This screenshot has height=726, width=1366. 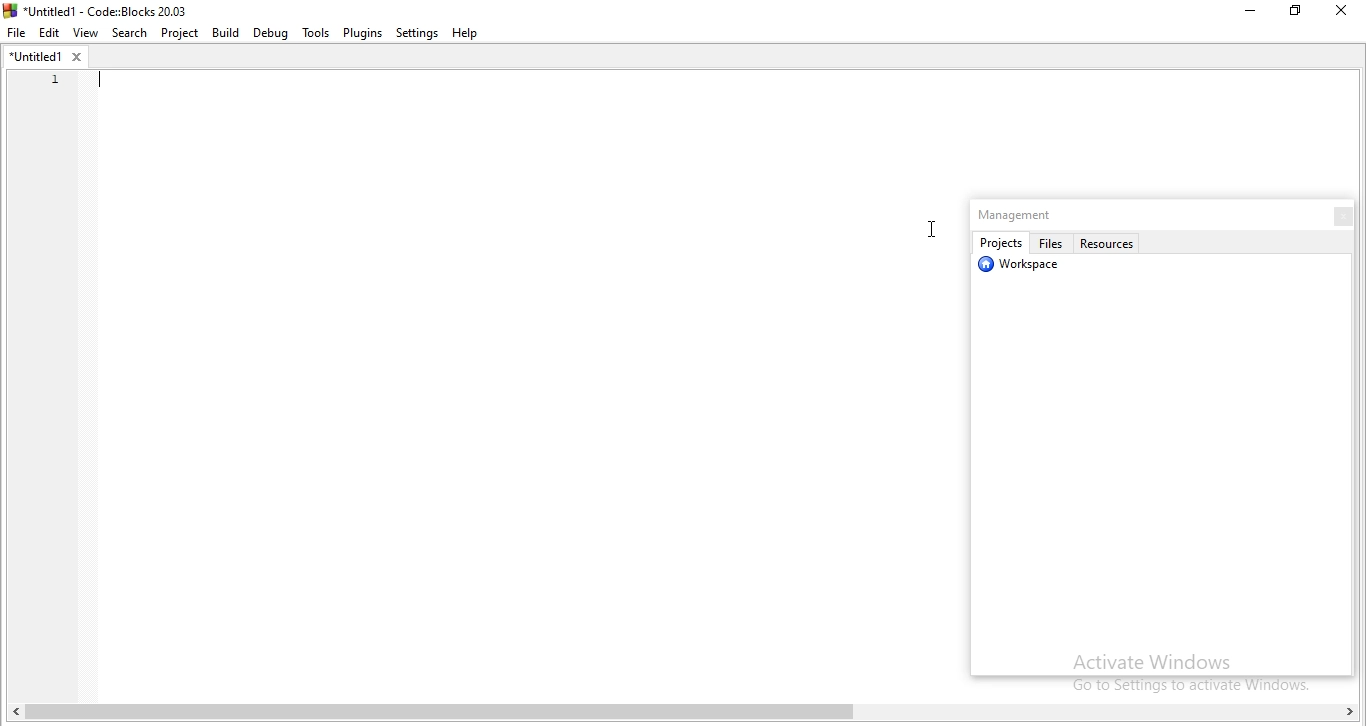 What do you see at coordinates (1111, 242) in the screenshot?
I see `resources` at bounding box center [1111, 242].